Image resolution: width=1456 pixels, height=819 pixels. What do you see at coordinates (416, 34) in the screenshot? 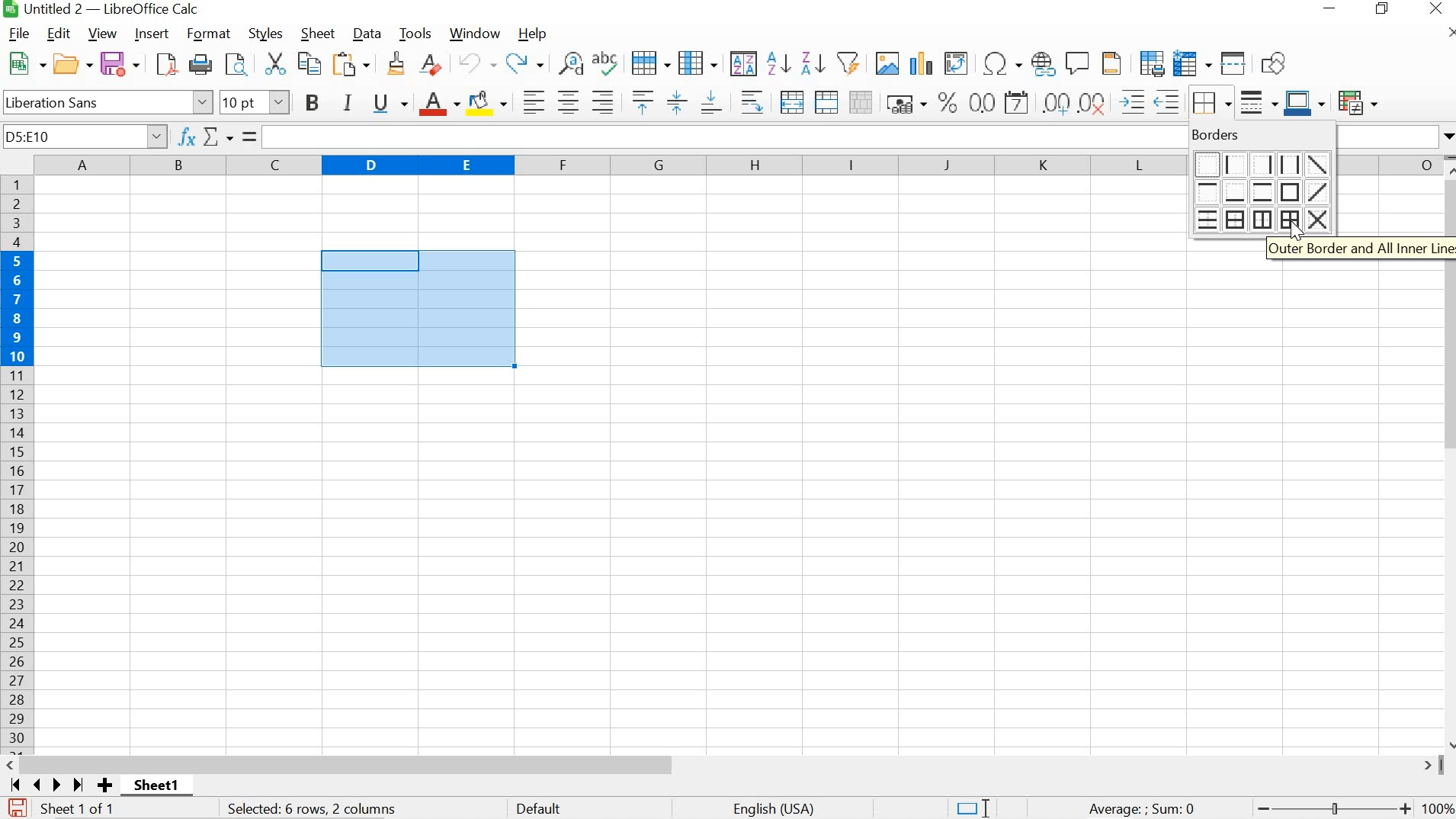
I see `TOOLS` at bounding box center [416, 34].